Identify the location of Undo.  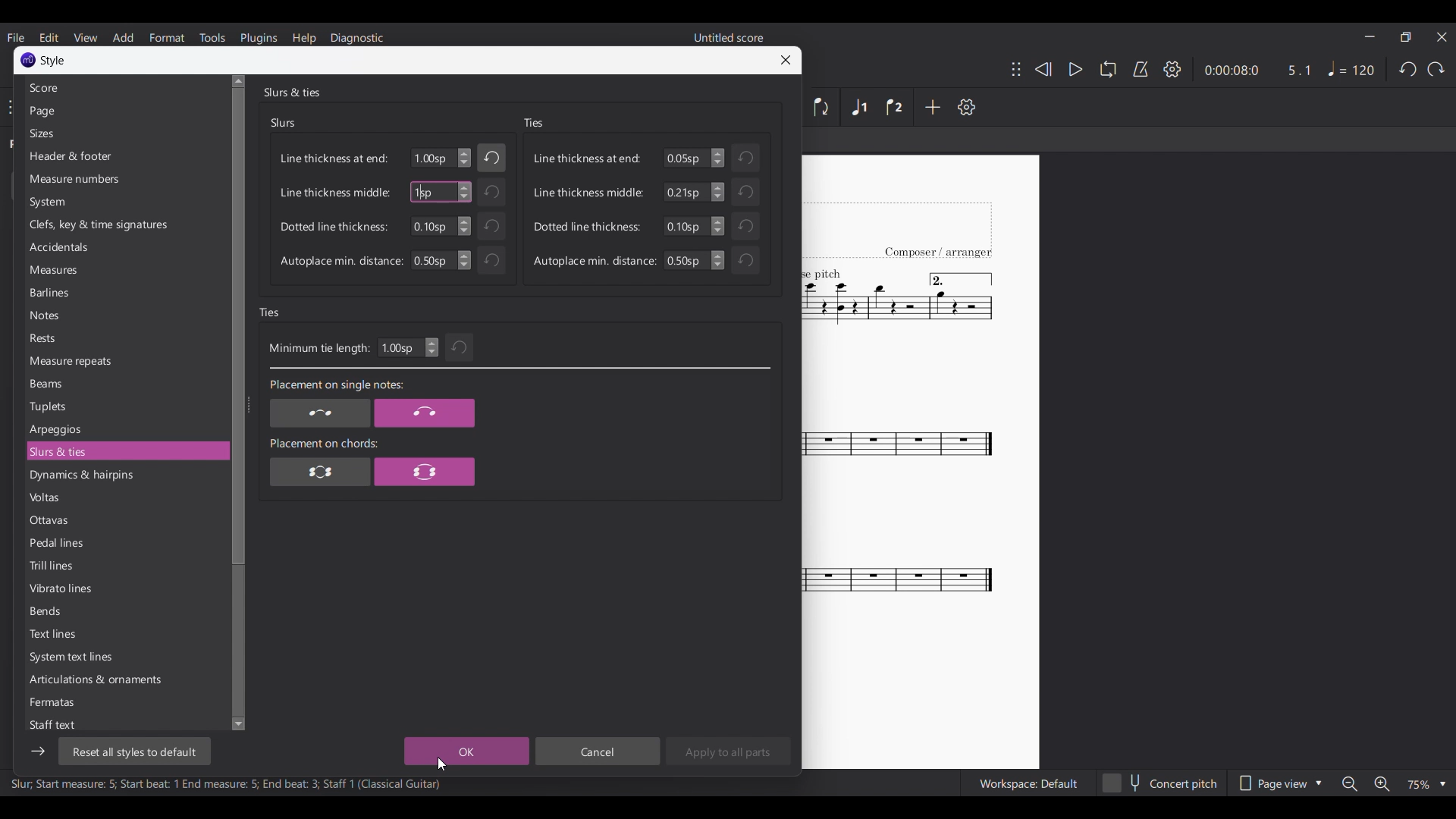
(491, 260).